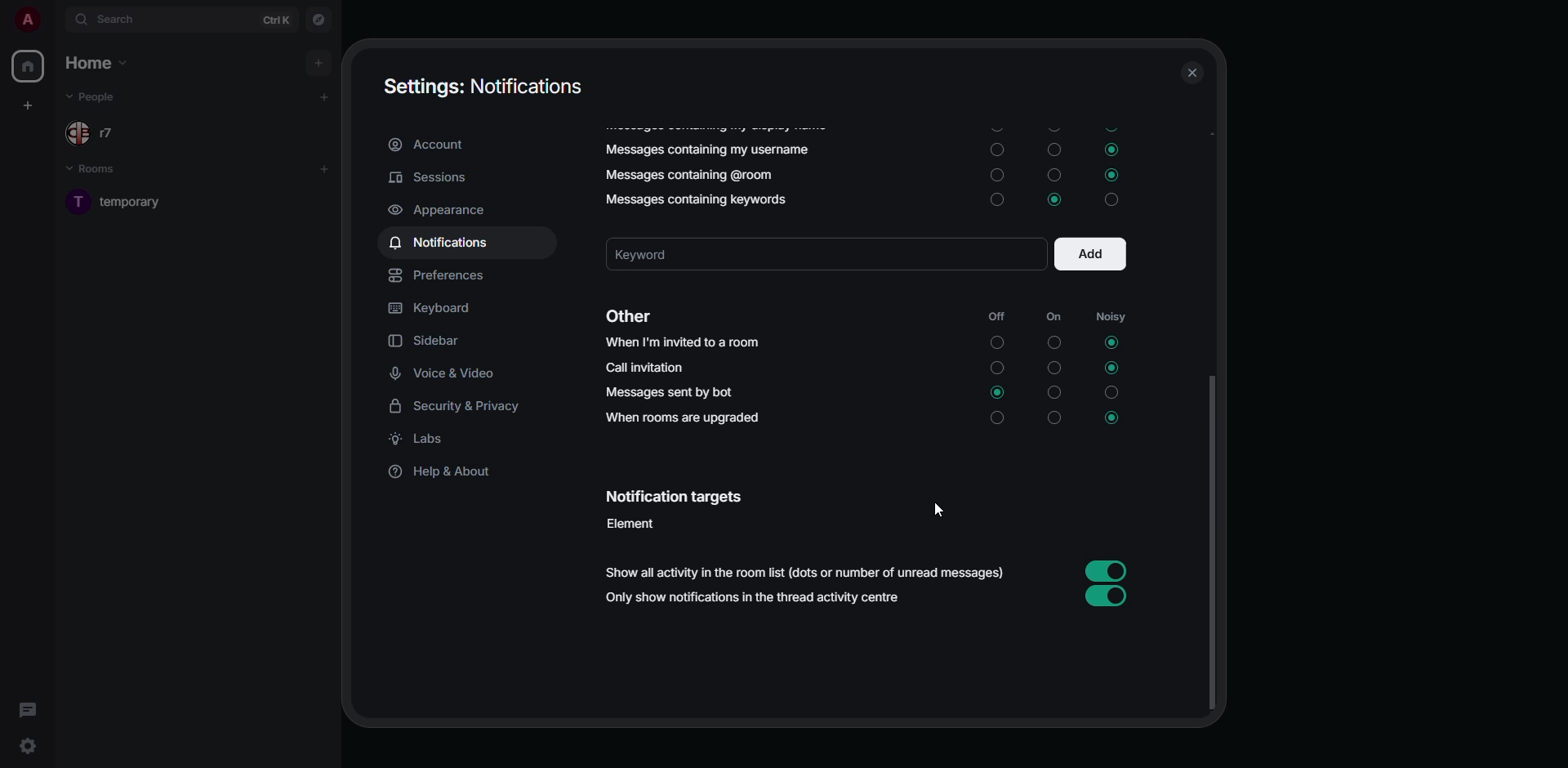  Describe the element at coordinates (109, 18) in the screenshot. I see `search` at that location.